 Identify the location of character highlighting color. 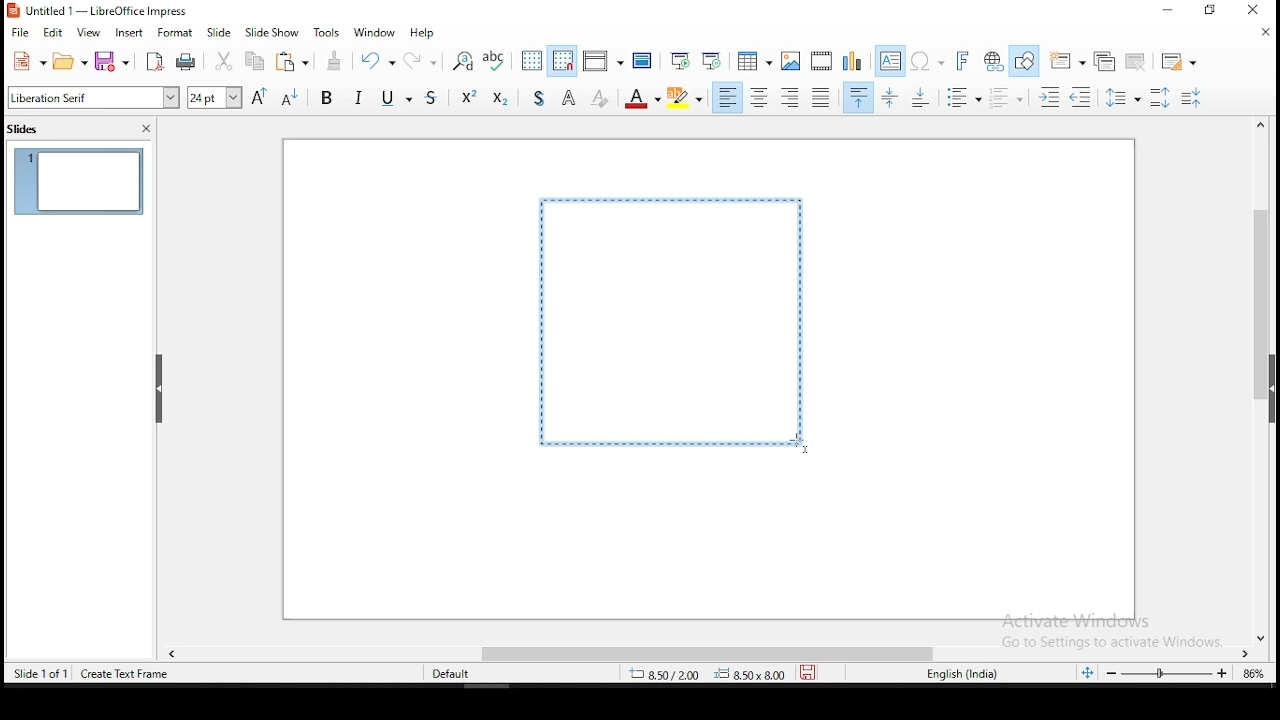
(687, 97).